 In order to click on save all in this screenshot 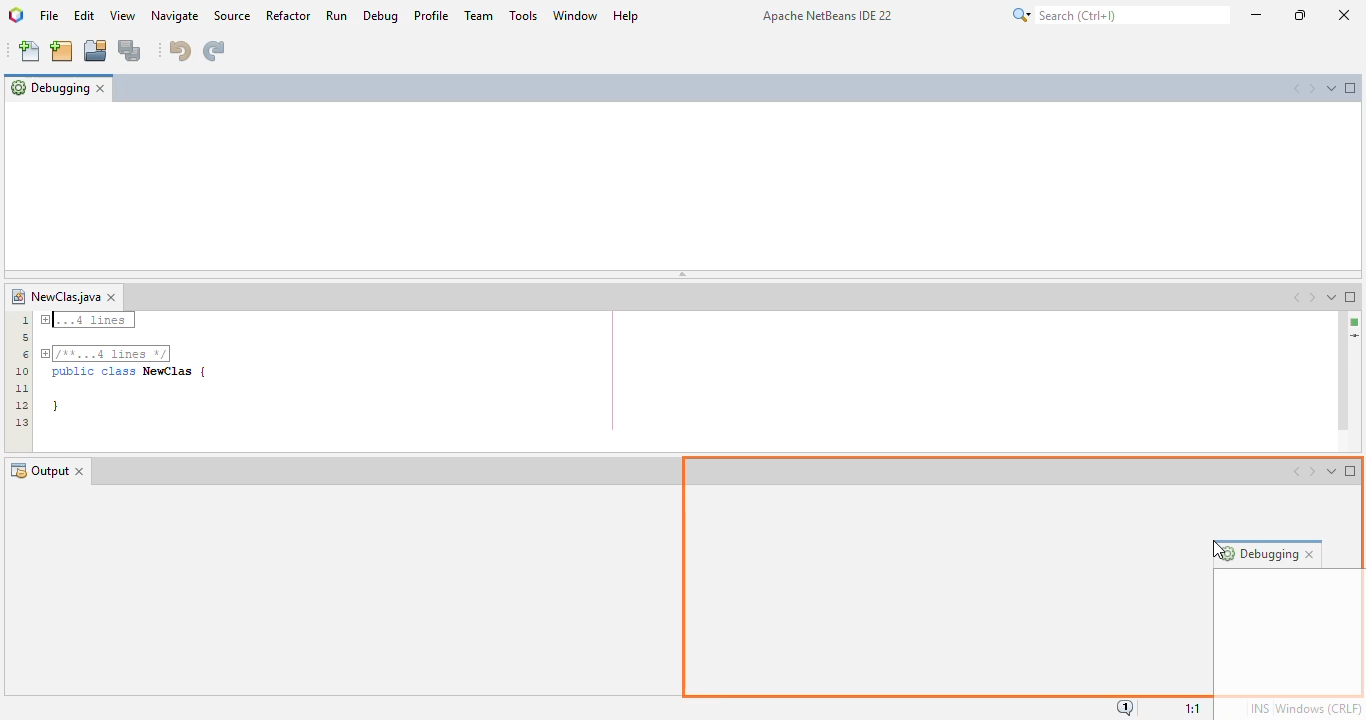, I will do `click(130, 51)`.